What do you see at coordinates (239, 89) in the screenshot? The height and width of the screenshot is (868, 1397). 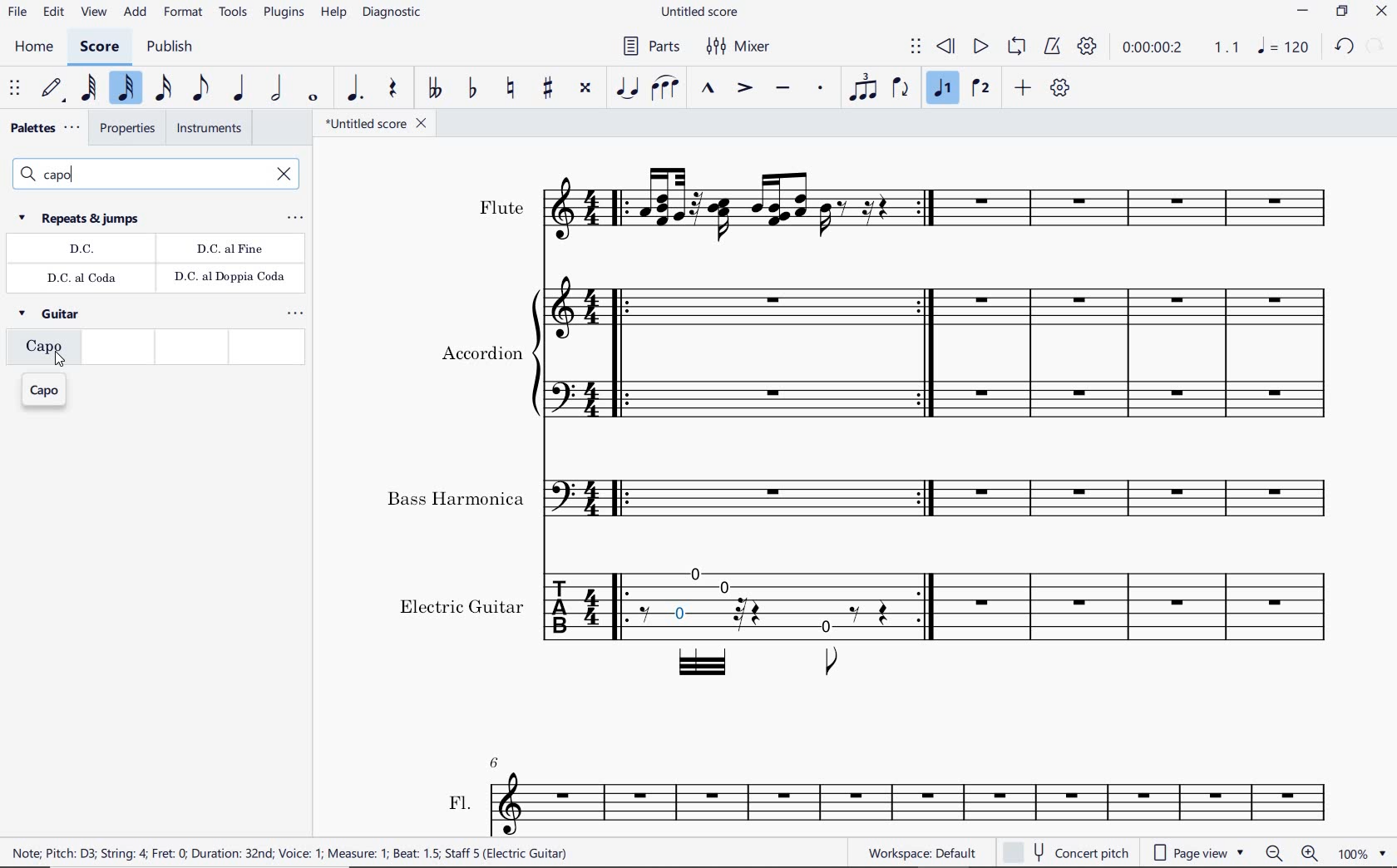 I see `quarter note` at bounding box center [239, 89].